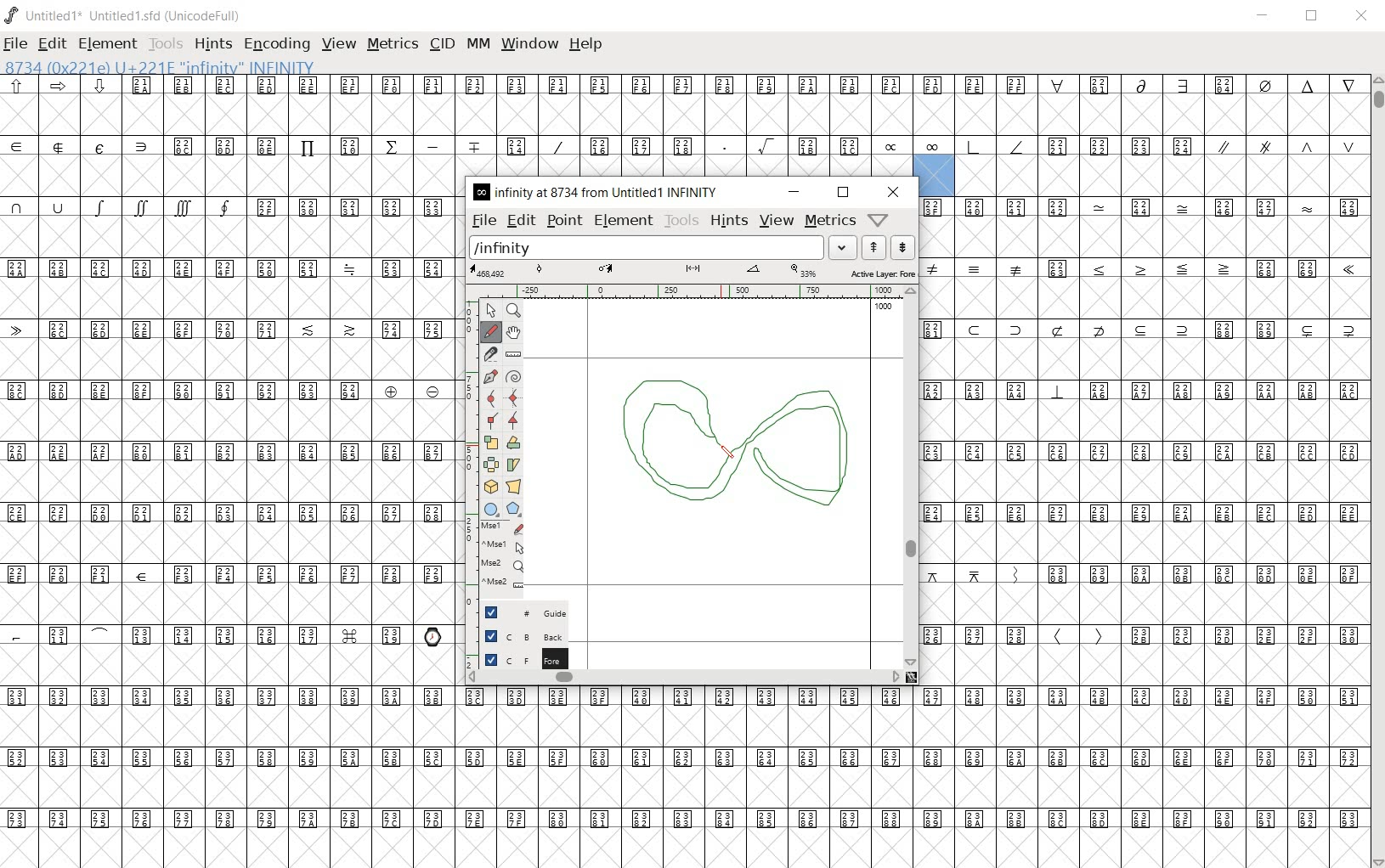  Describe the element at coordinates (1144, 604) in the screenshot. I see `empty glyph slot` at that location.